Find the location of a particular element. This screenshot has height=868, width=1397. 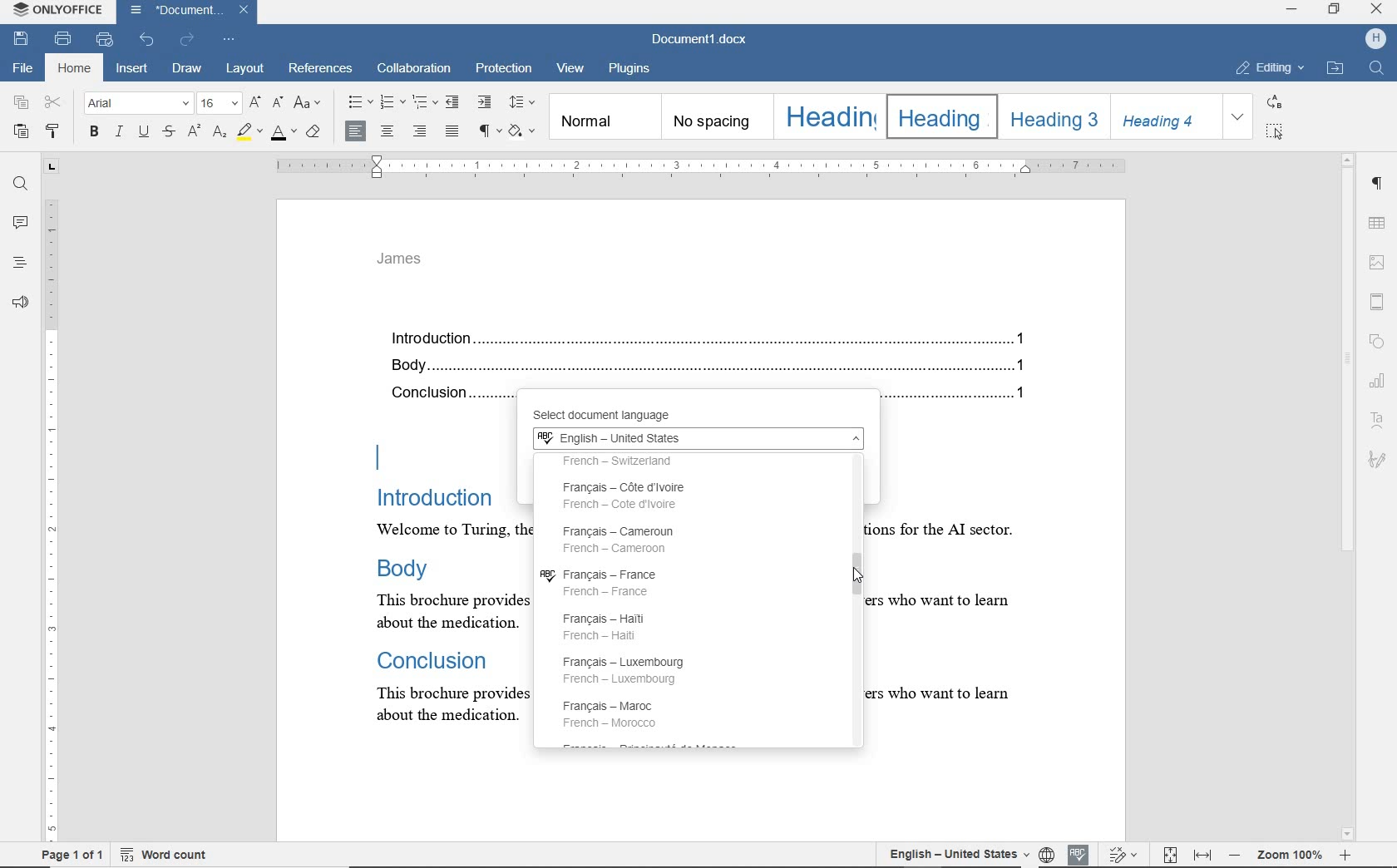

draw is located at coordinates (190, 70).